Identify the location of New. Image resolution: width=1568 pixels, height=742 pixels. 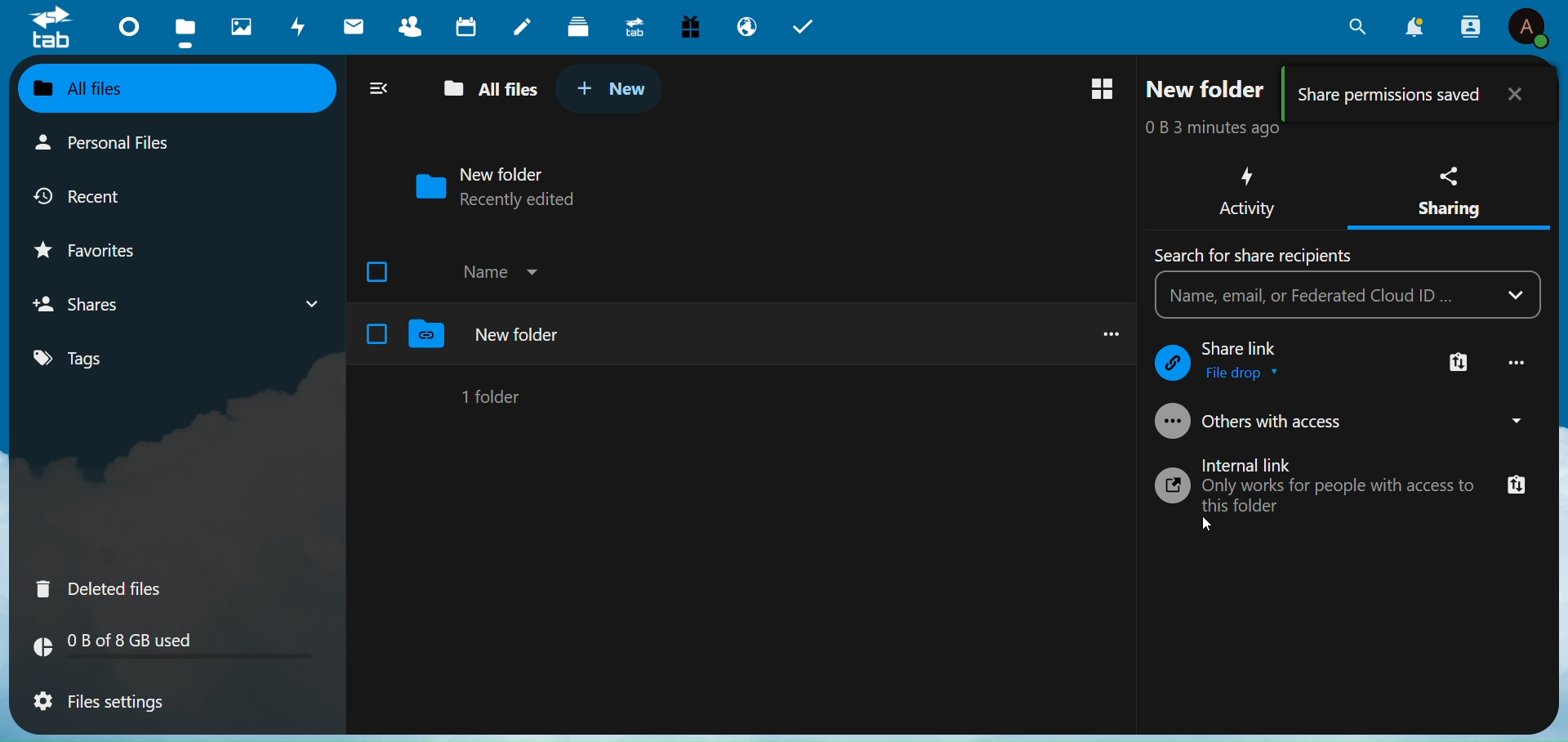
(612, 87).